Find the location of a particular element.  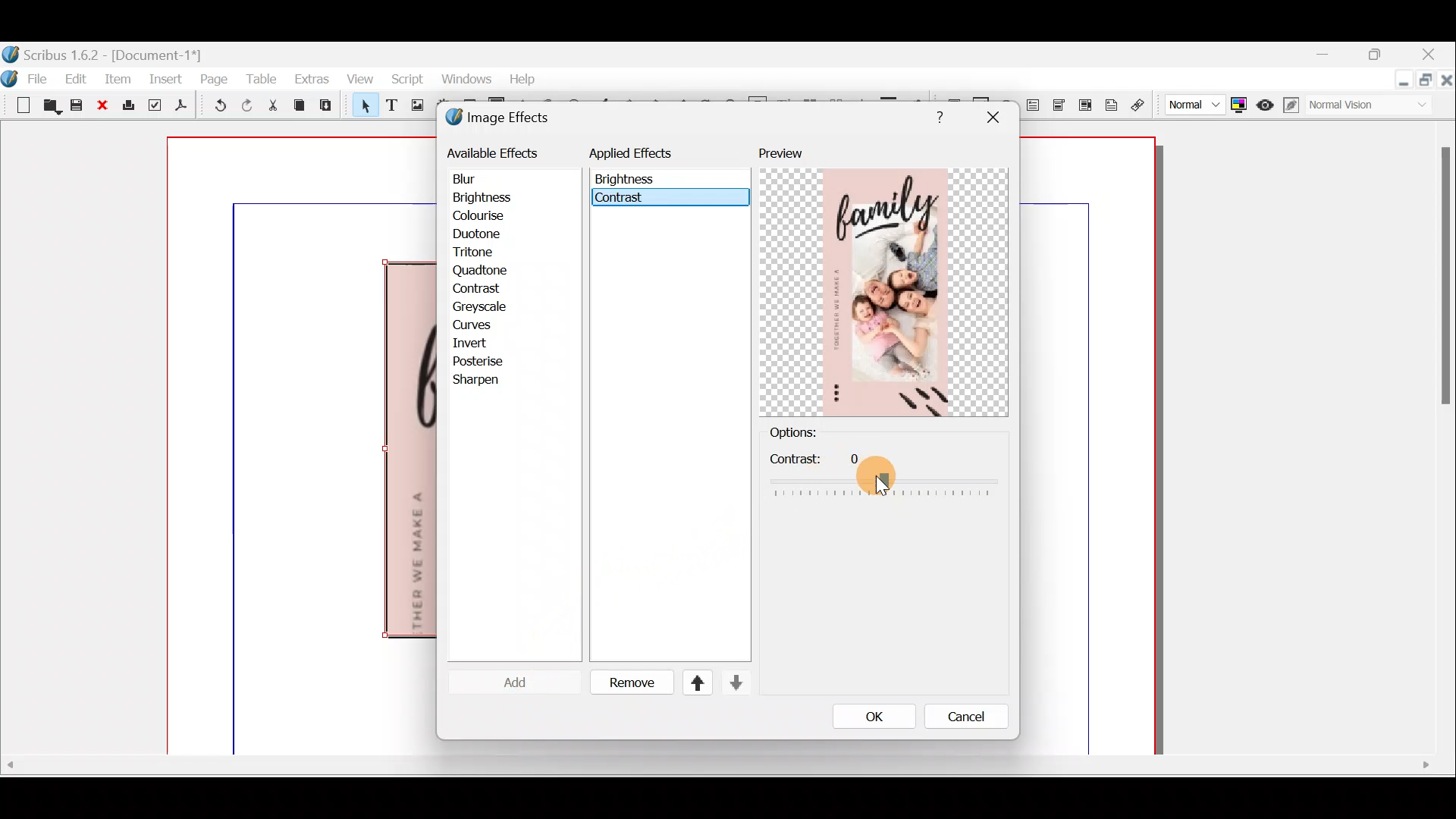

 is located at coordinates (992, 118).